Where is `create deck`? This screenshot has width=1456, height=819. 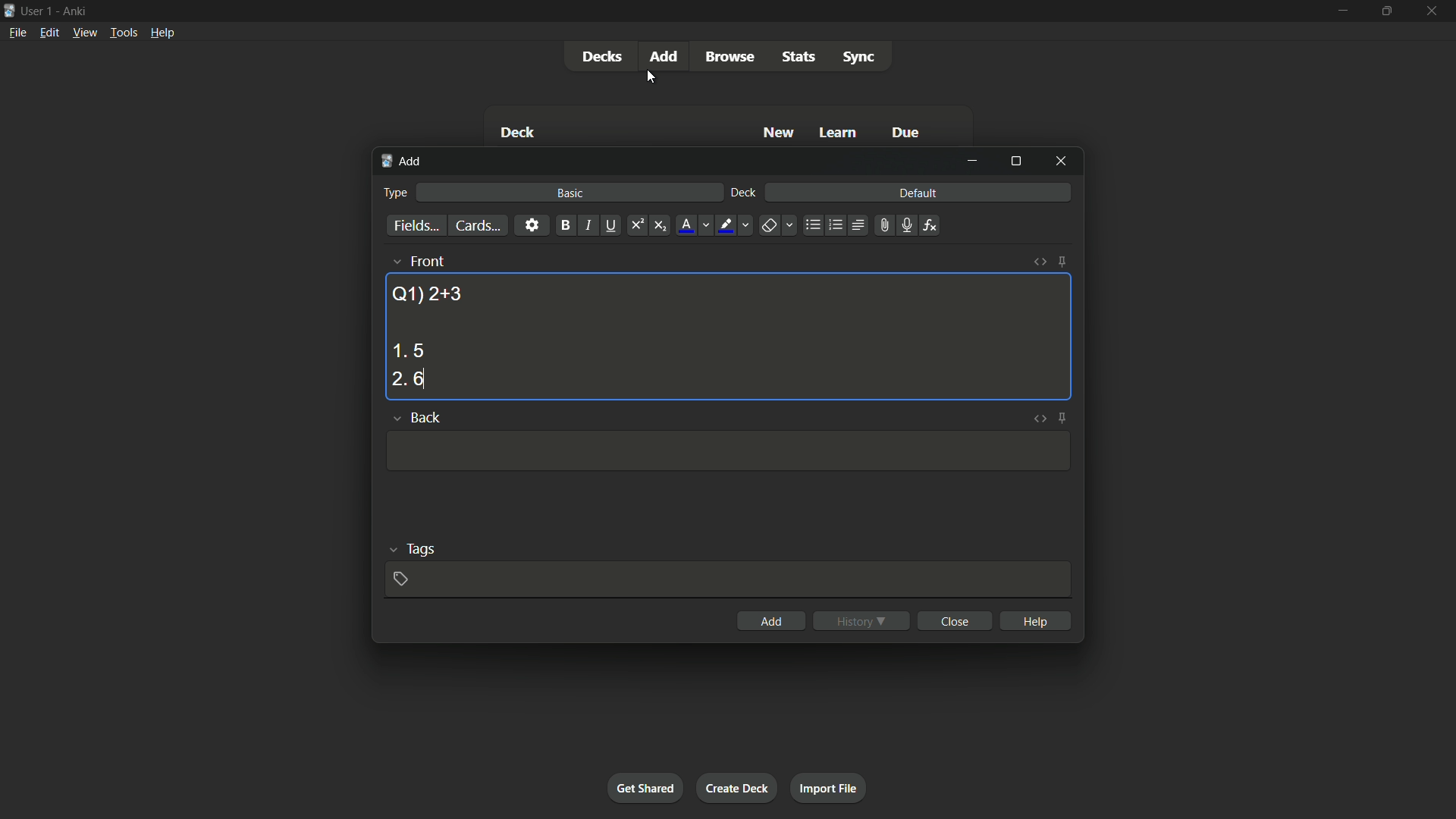
create deck is located at coordinates (736, 787).